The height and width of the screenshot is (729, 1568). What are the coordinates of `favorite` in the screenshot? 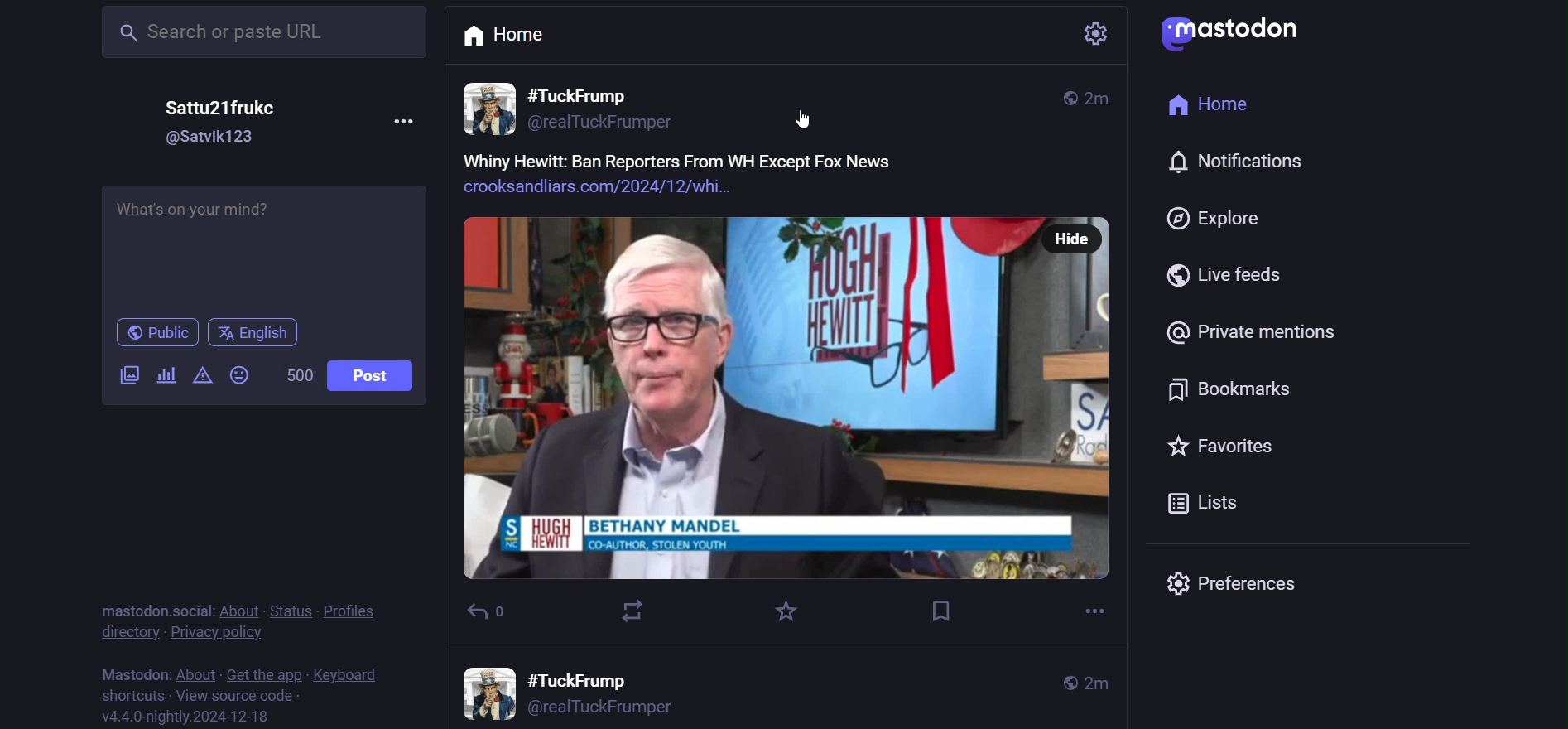 It's located at (783, 611).